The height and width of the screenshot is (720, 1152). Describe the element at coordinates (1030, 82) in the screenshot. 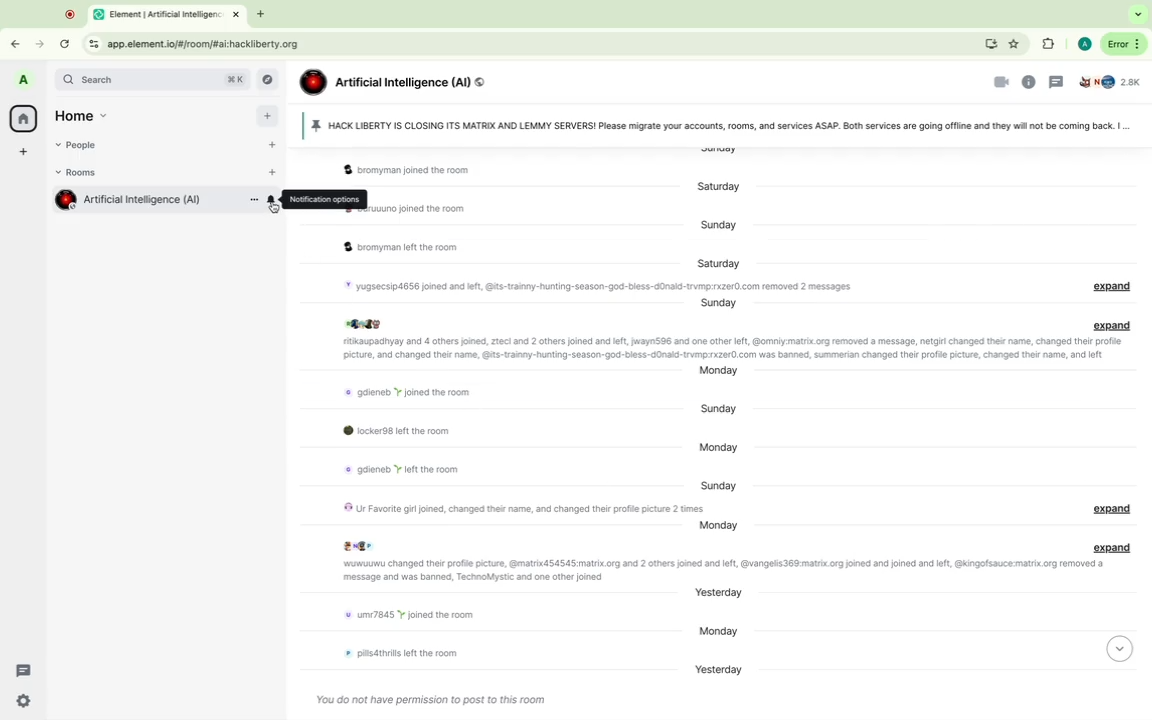

I see `Information` at that location.